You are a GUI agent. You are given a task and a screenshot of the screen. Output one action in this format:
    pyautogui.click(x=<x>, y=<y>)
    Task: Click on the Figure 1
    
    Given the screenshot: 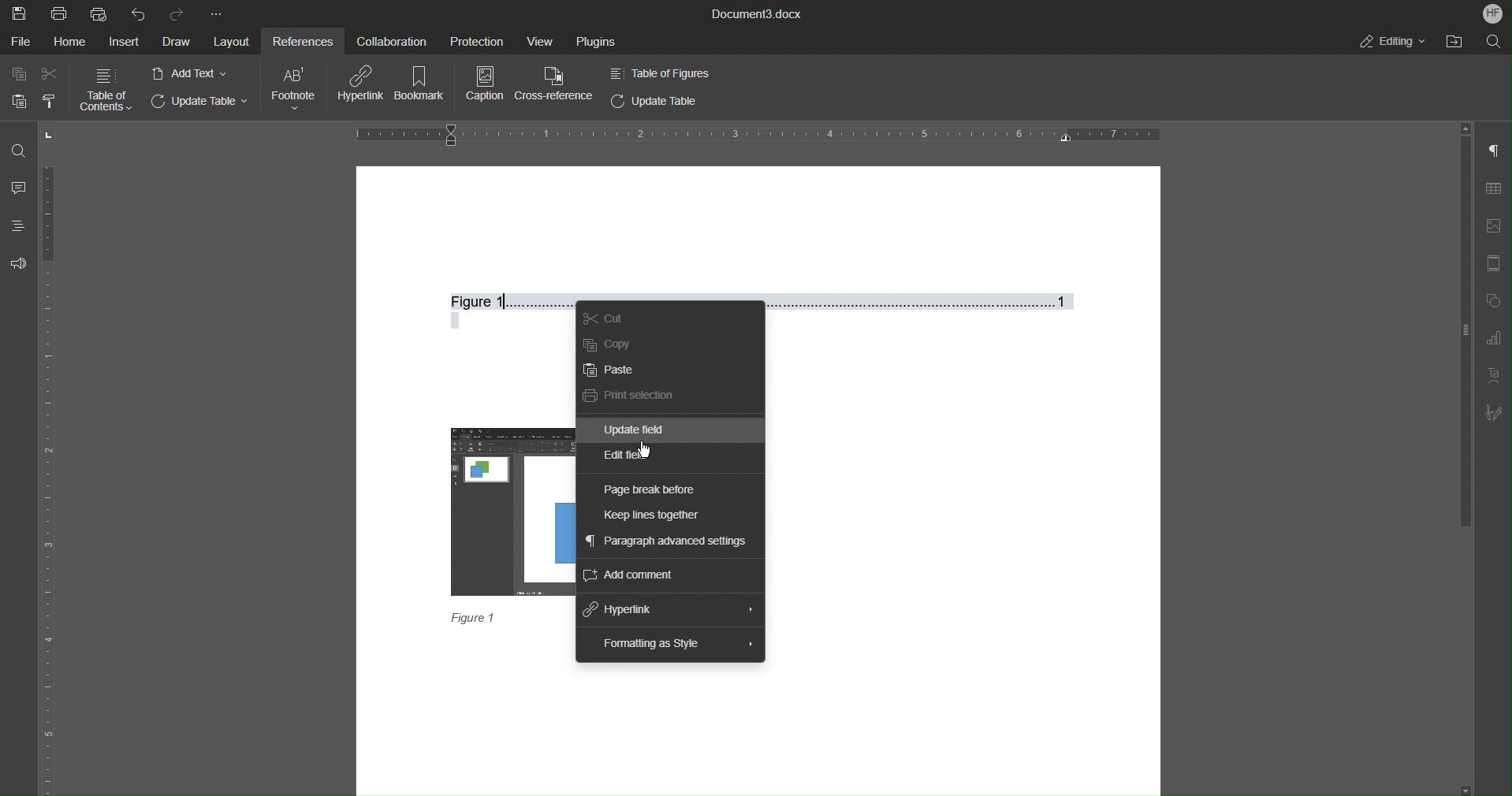 What is the action you would take?
    pyautogui.click(x=769, y=299)
    